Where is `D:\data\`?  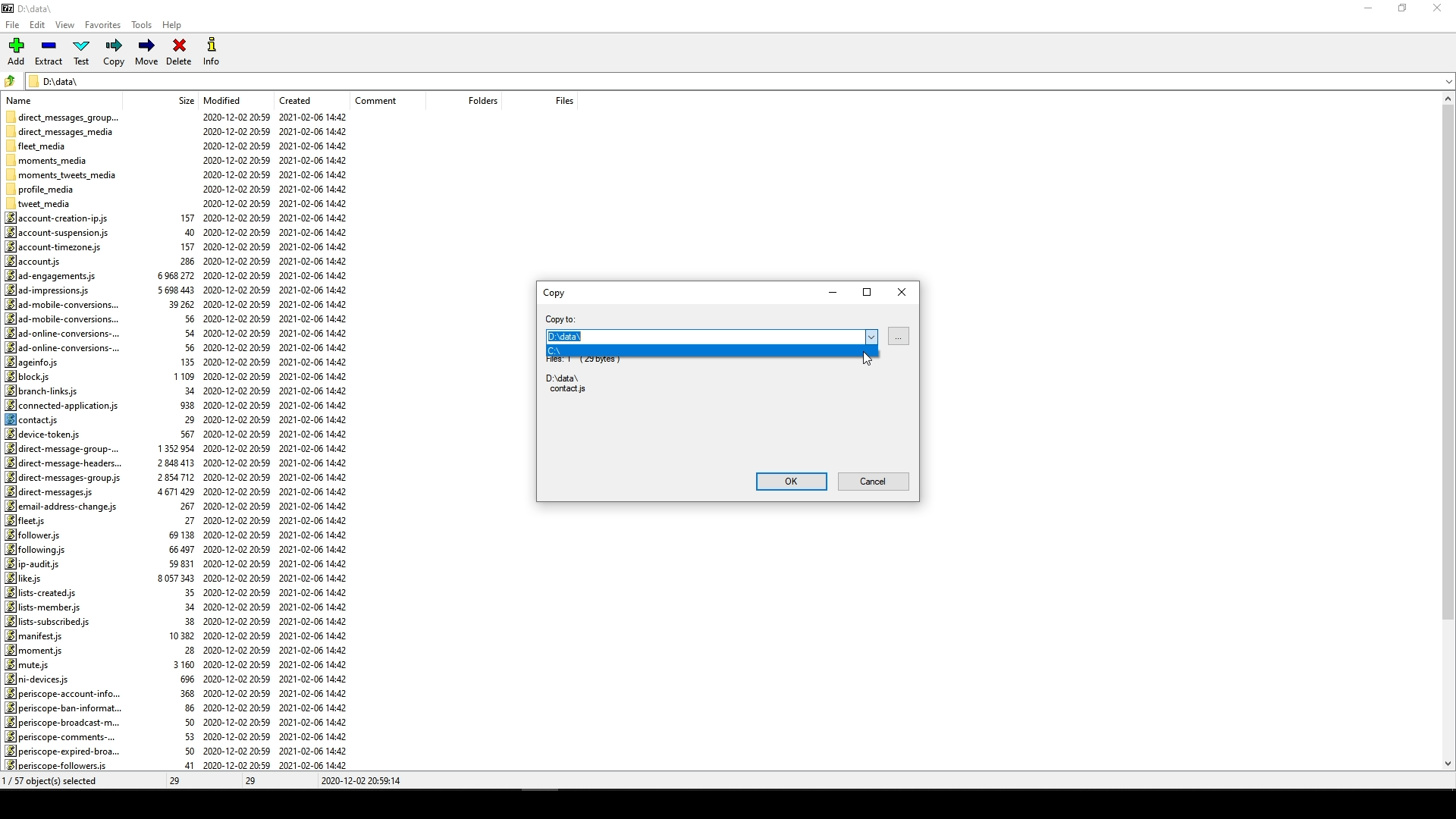 D:\data\ is located at coordinates (694, 336).